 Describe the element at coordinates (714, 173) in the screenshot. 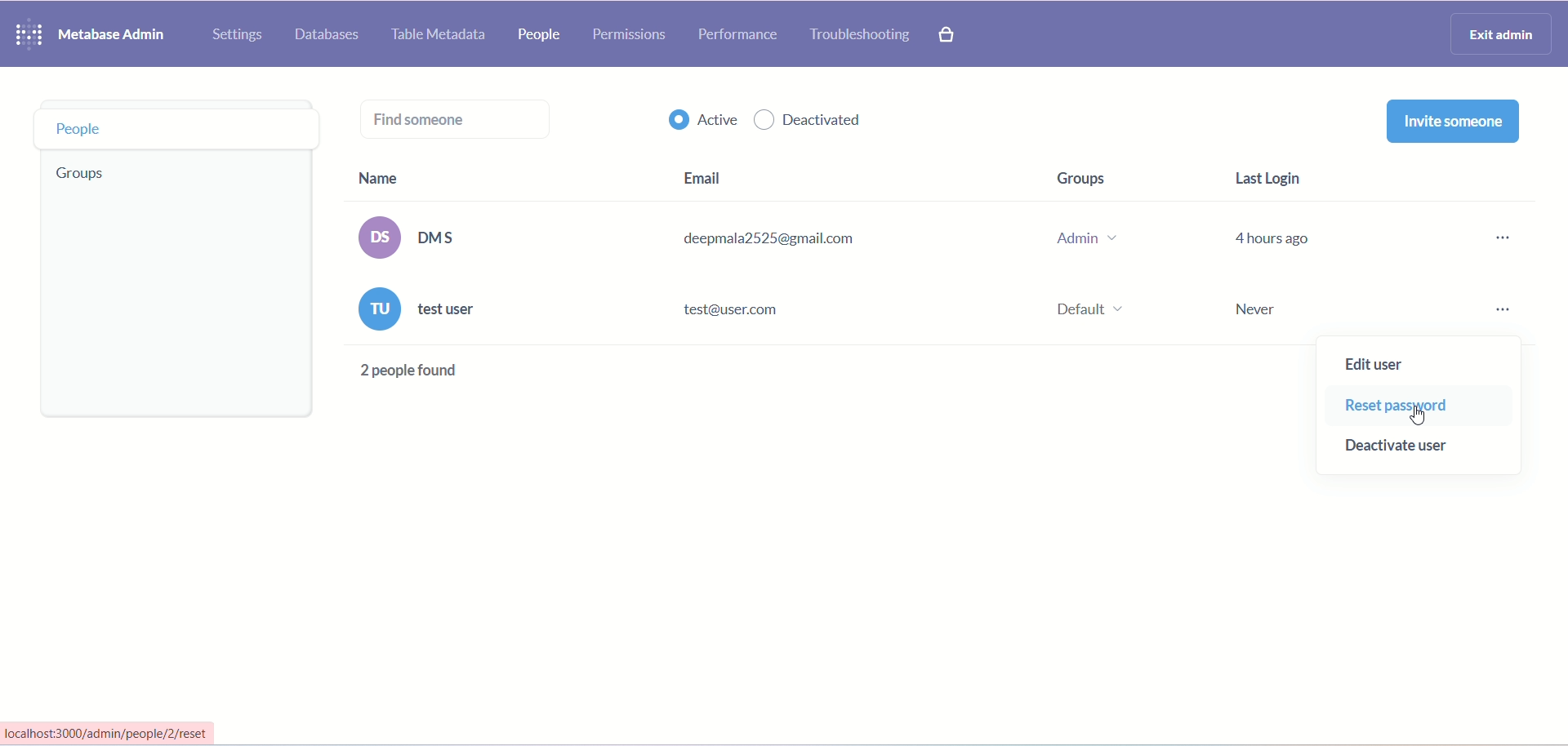

I see `email` at that location.